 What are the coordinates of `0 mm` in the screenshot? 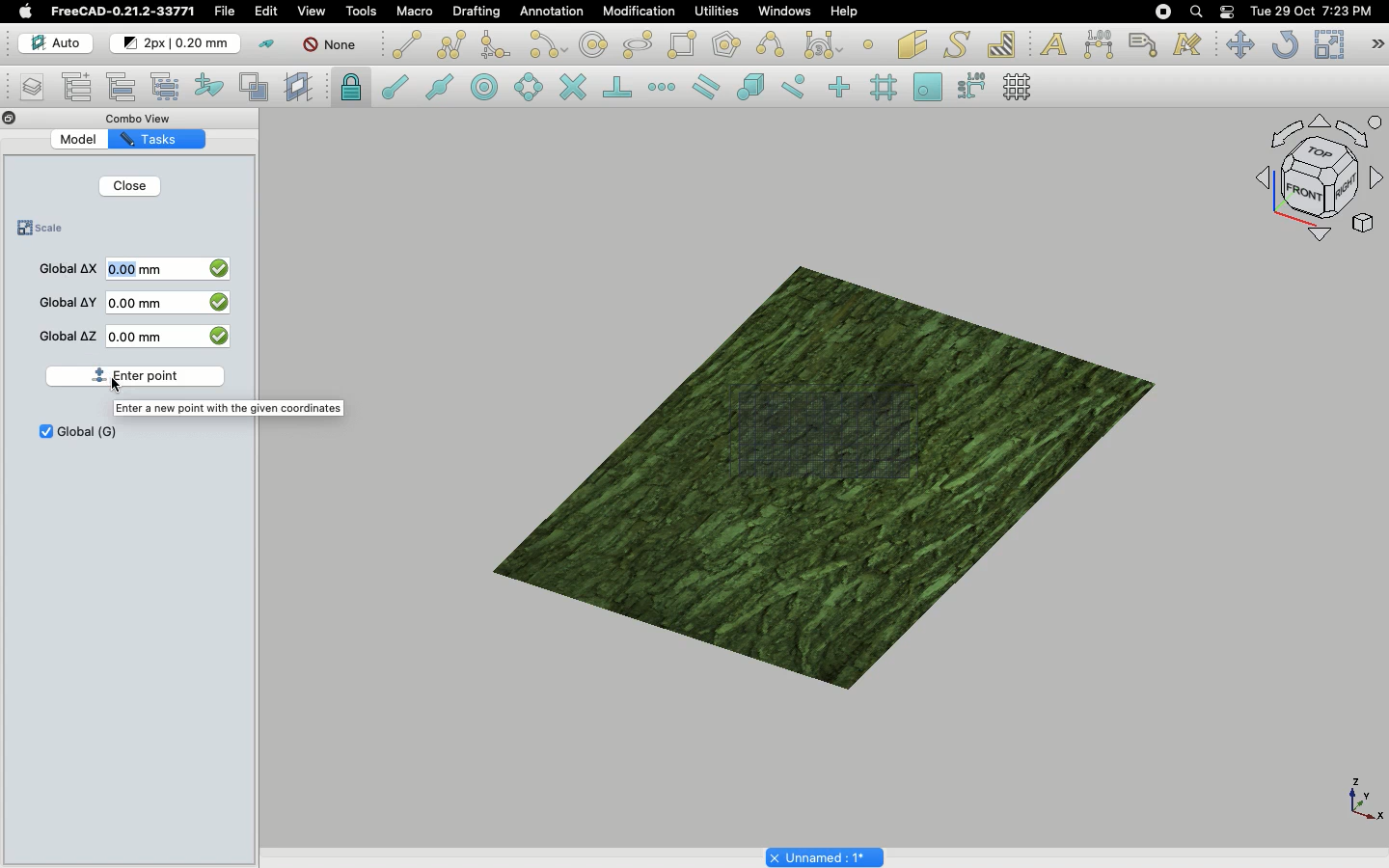 It's located at (169, 335).